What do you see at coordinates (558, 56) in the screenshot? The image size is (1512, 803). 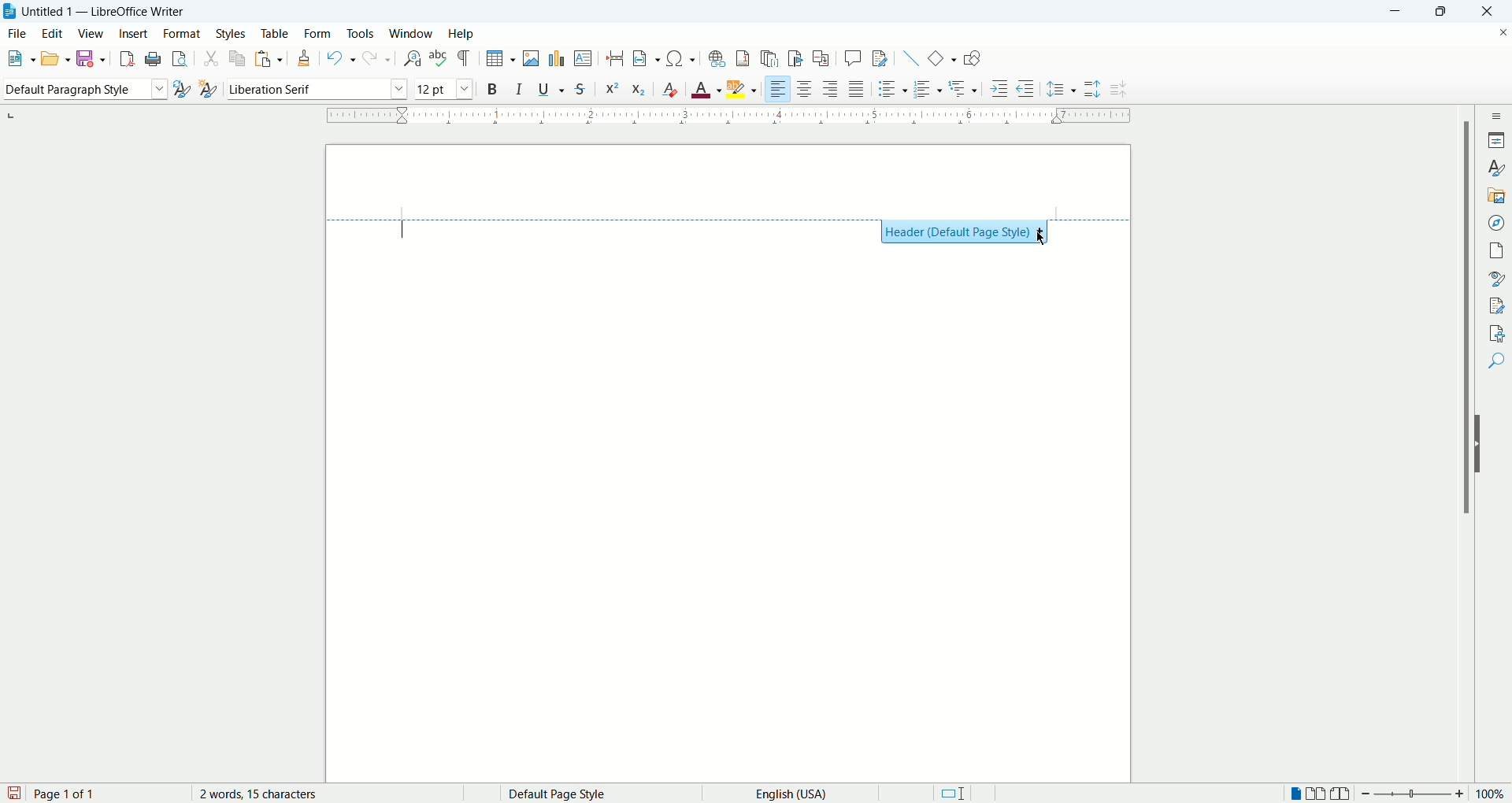 I see `insert chart` at bounding box center [558, 56].